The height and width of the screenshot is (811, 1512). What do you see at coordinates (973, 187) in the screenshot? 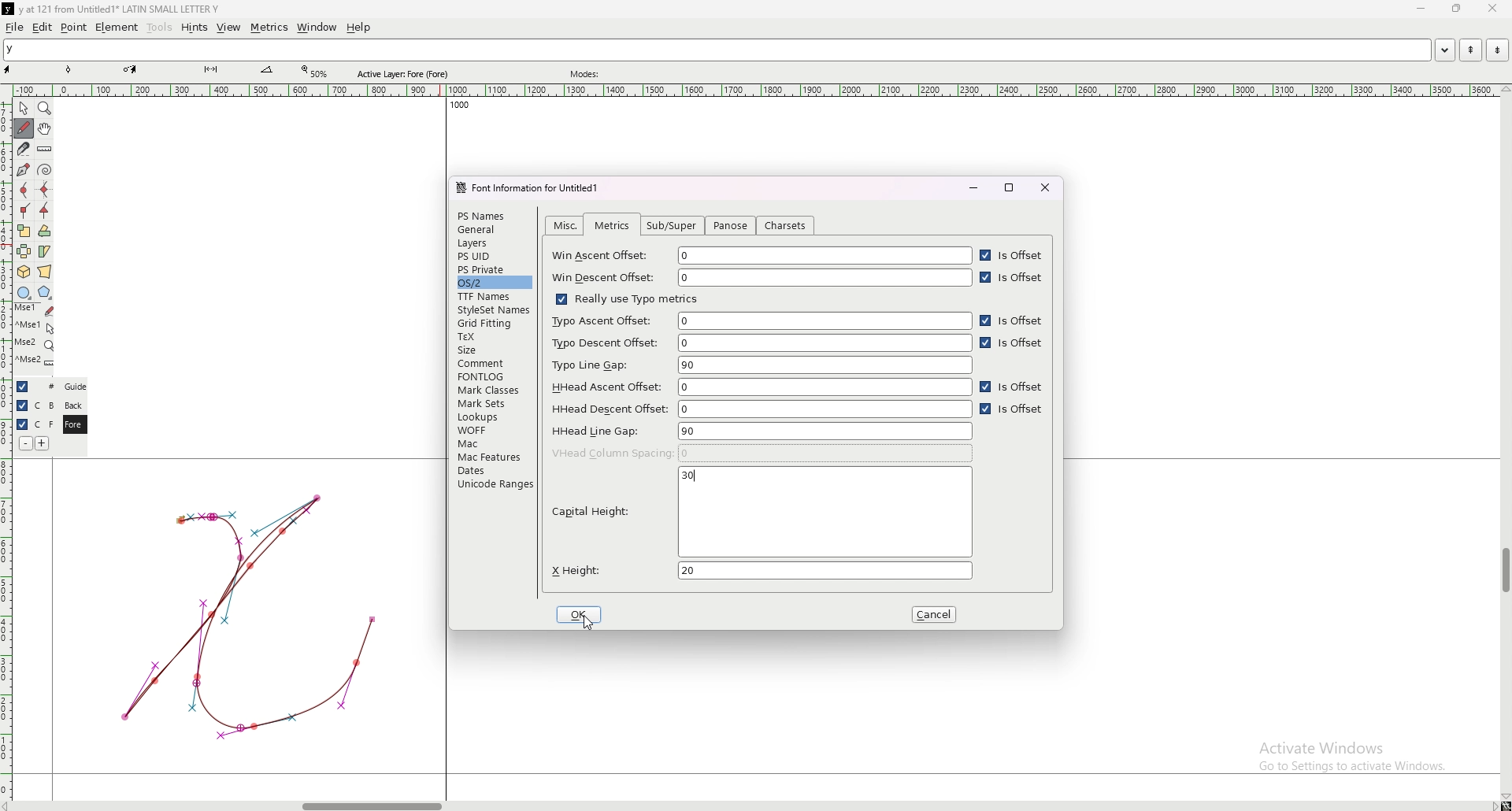
I see `minimize` at bounding box center [973, 187].